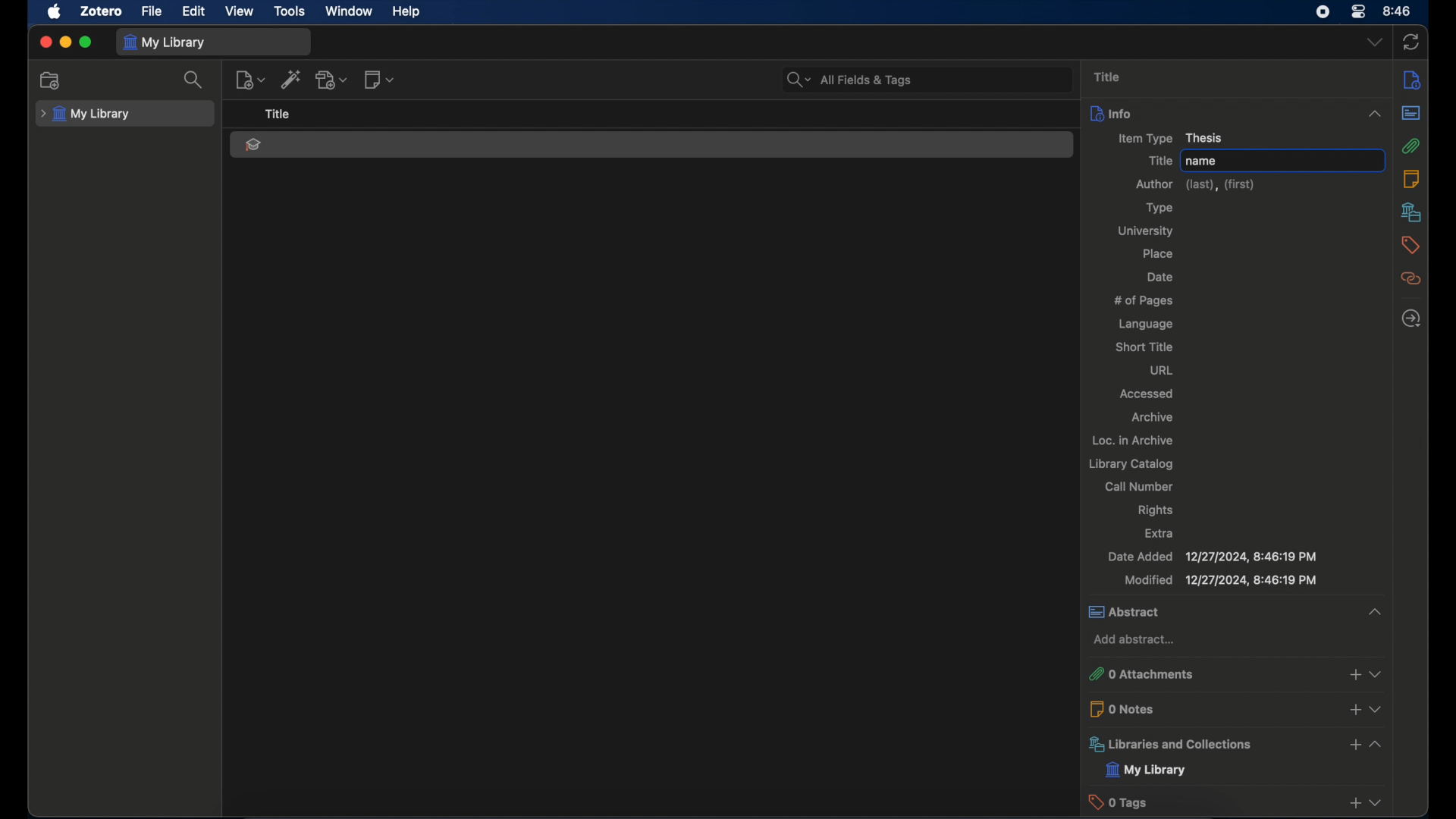 The width and height of the screenshot is (1456, 819). What do you see at coordinates (193, 11) in the screenshot?
I see `edit` at bounding box center [193, 11].